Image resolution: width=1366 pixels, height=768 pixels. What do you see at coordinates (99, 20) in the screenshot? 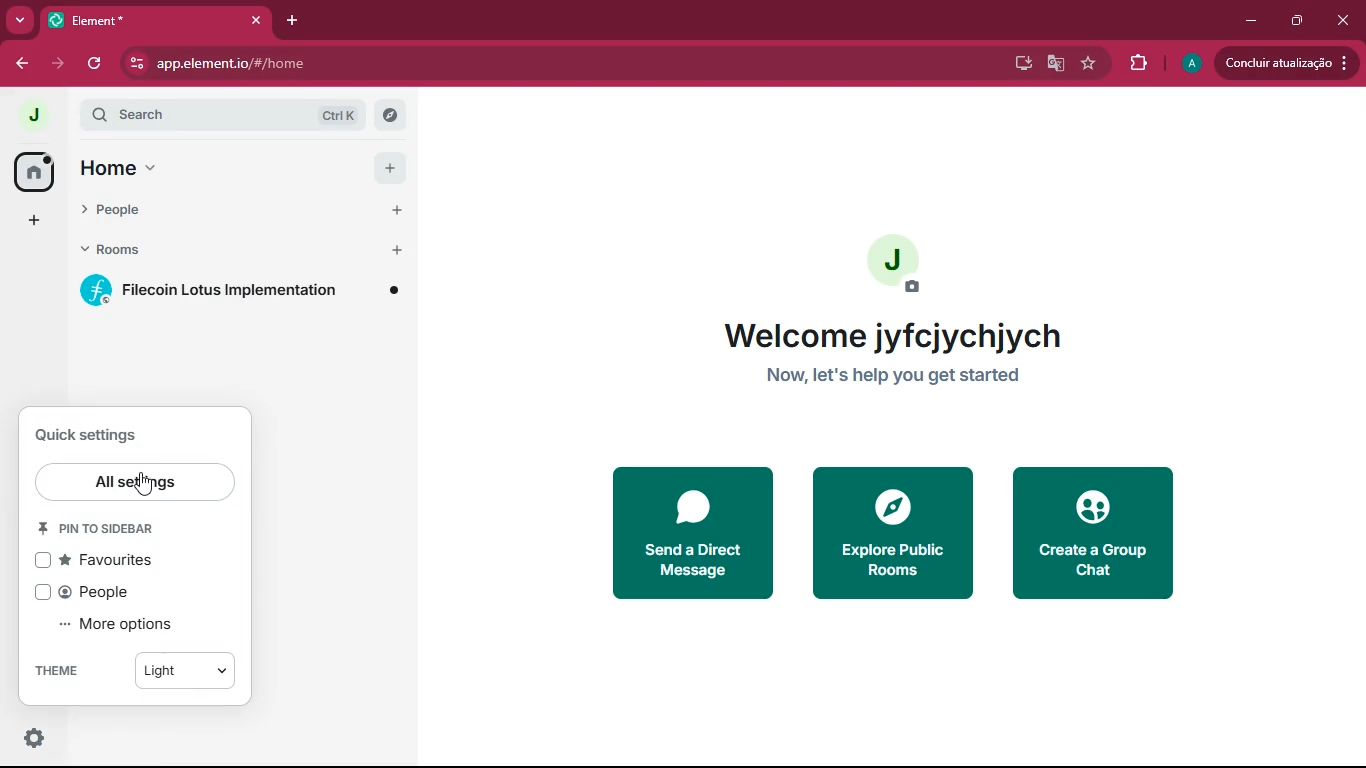
I see `tab` at bounding box center [99, 20].